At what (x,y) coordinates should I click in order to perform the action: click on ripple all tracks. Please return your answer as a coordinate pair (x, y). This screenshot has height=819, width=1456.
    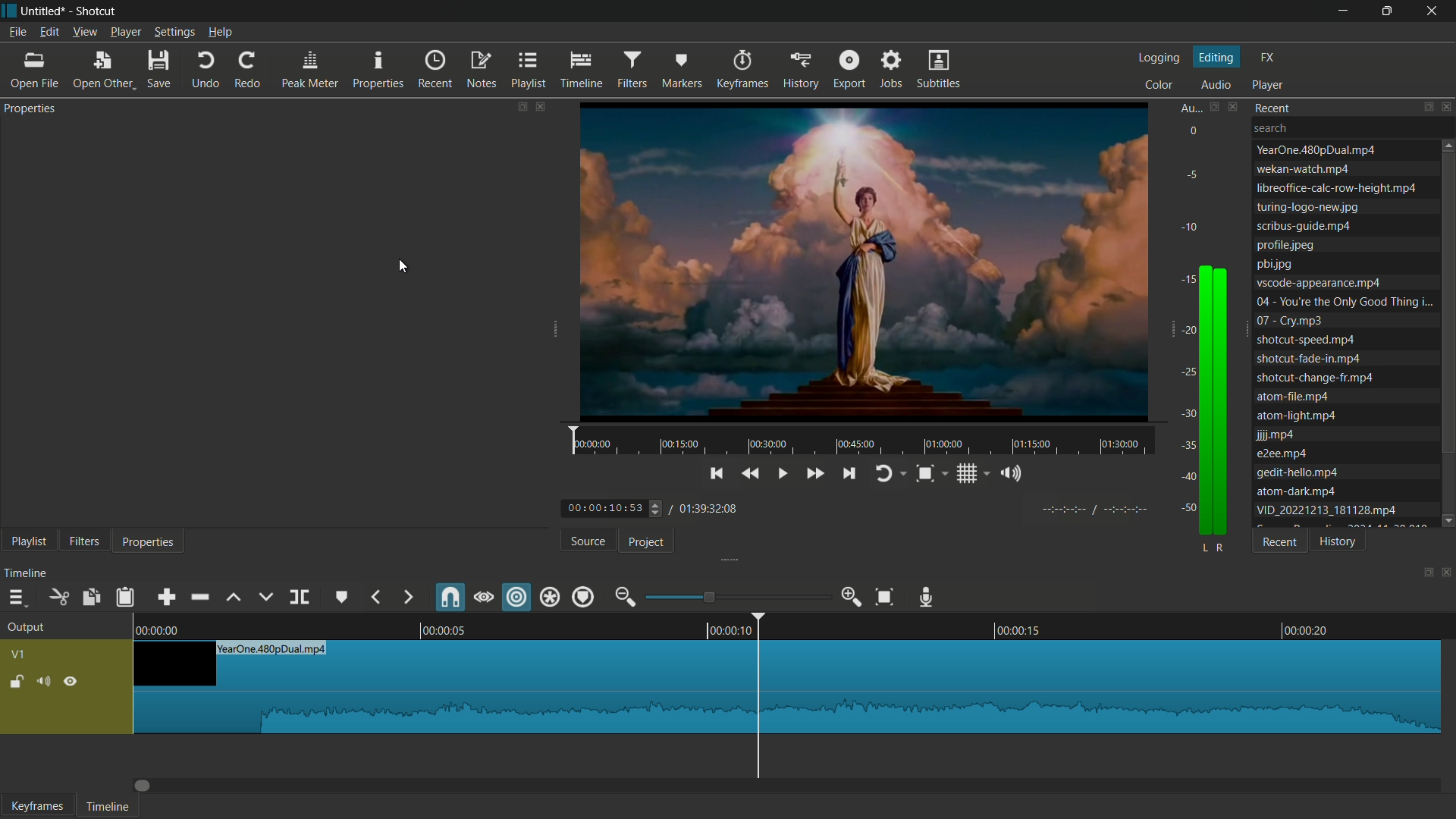
    Looking at the image, I should click on (550, 597).